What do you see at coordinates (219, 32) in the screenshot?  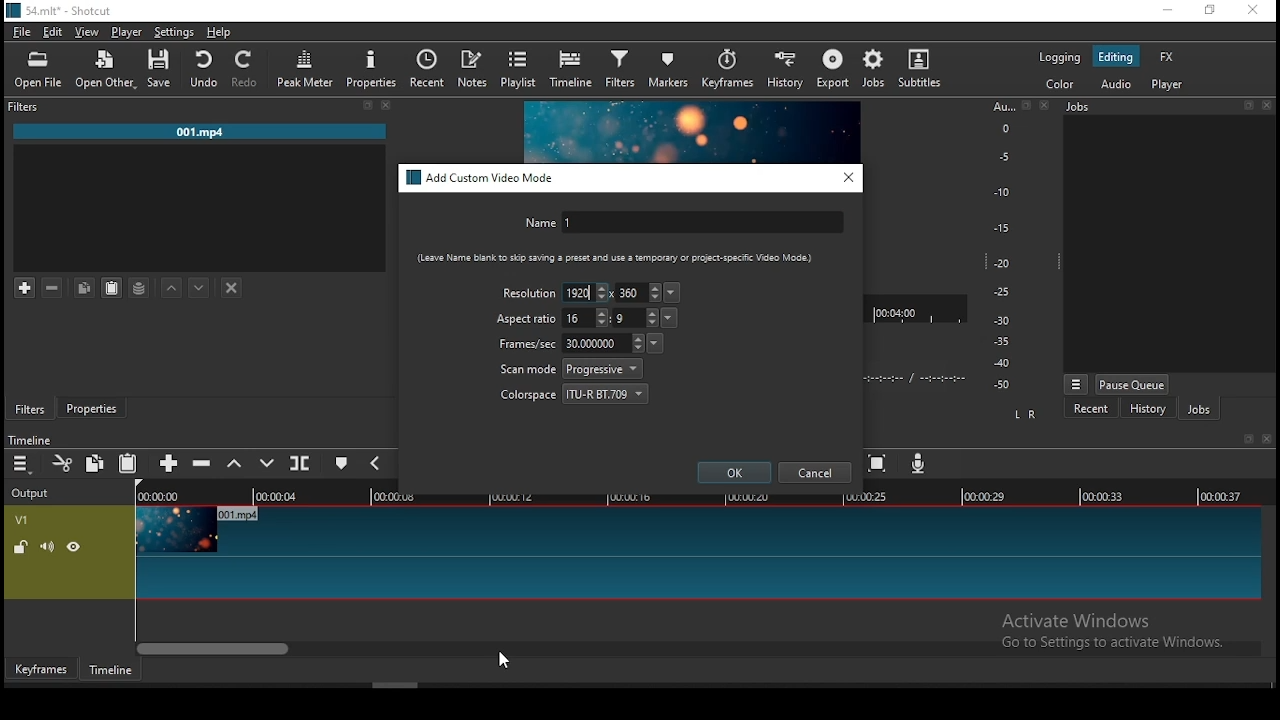 I see `help` at bounding box center [219, 32].